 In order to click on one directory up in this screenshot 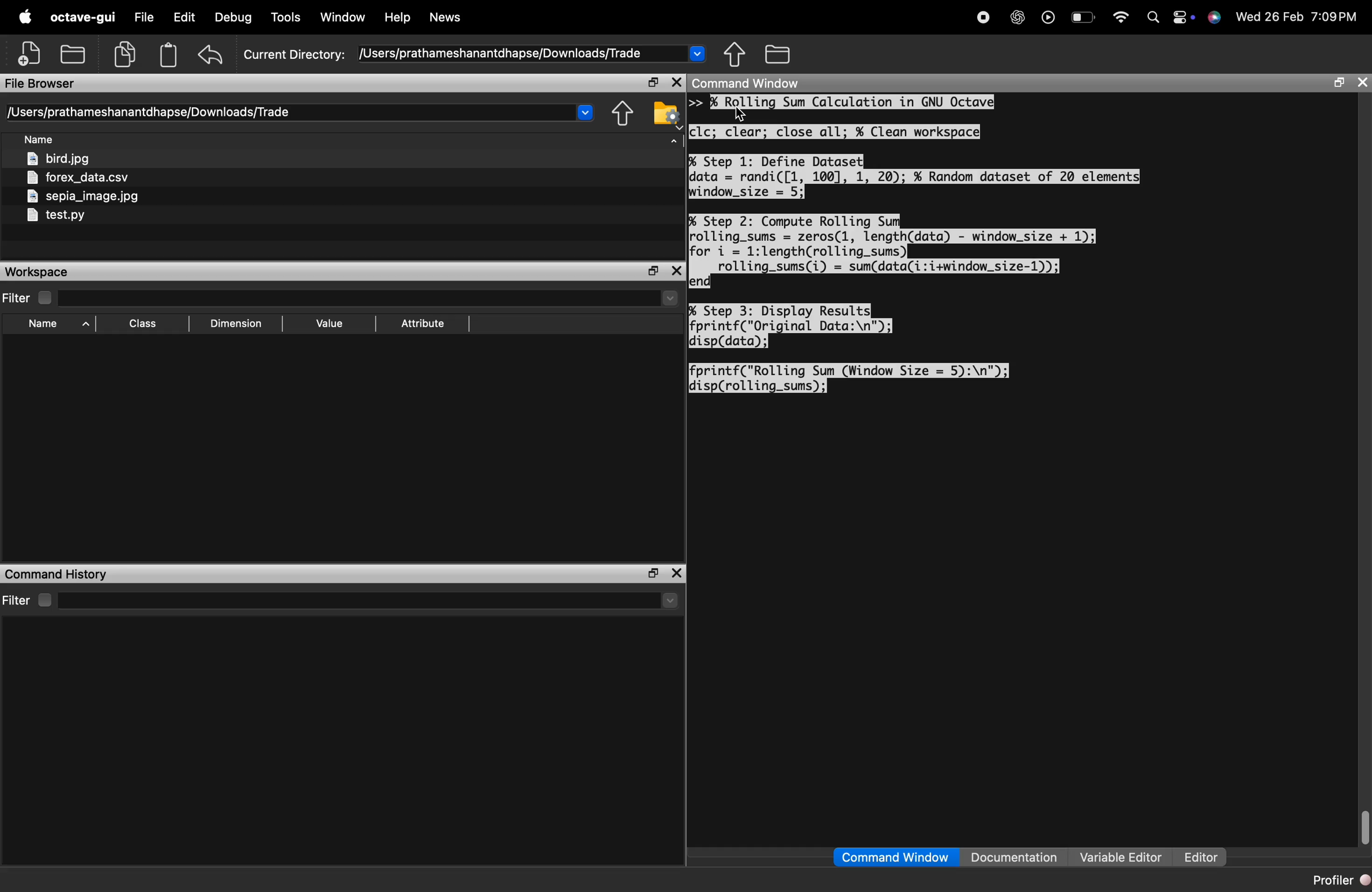, I will do `click(623, 114)`.